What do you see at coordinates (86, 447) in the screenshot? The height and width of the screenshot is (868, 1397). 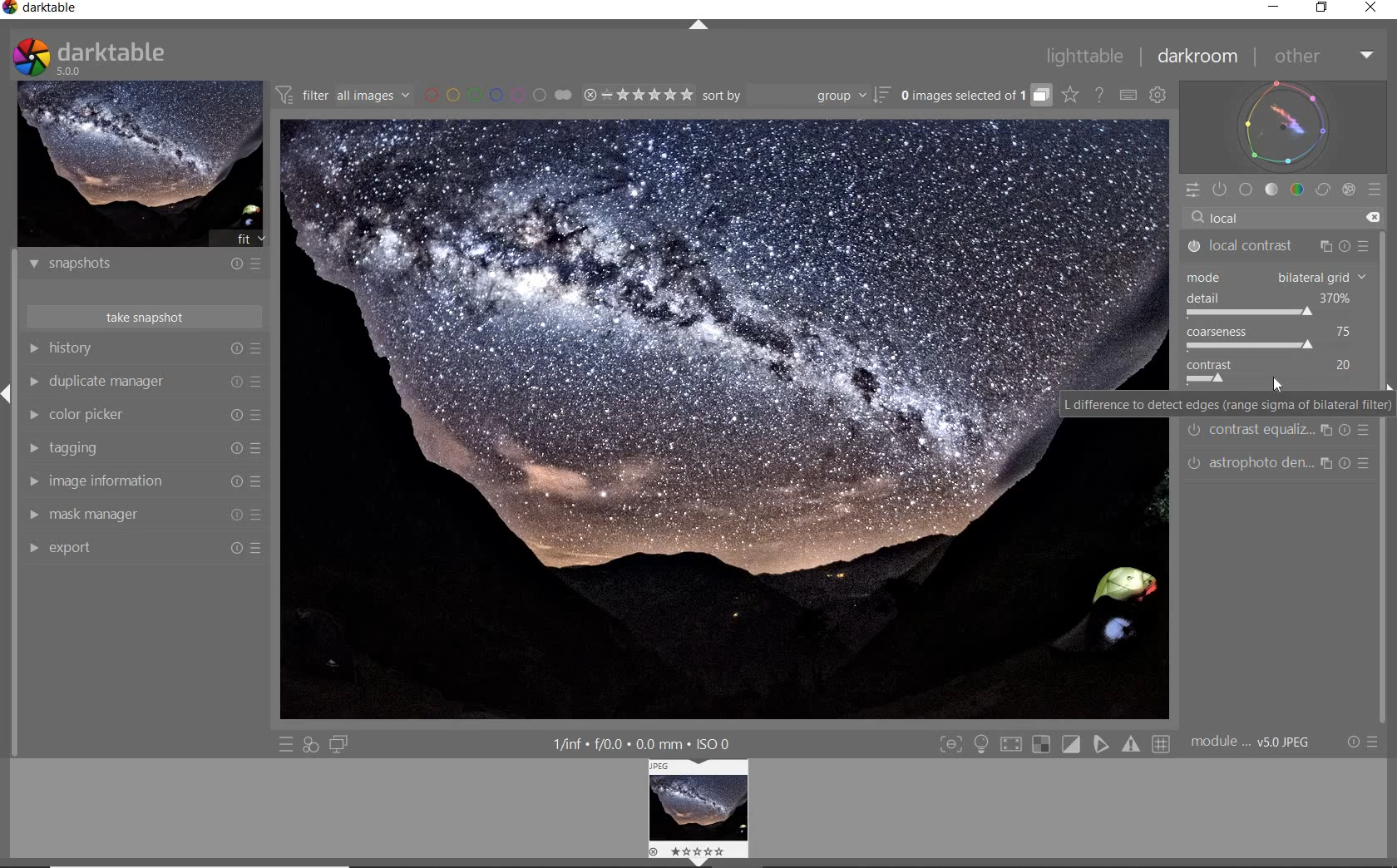 I see `tagging` at bounding box center [86, 447].